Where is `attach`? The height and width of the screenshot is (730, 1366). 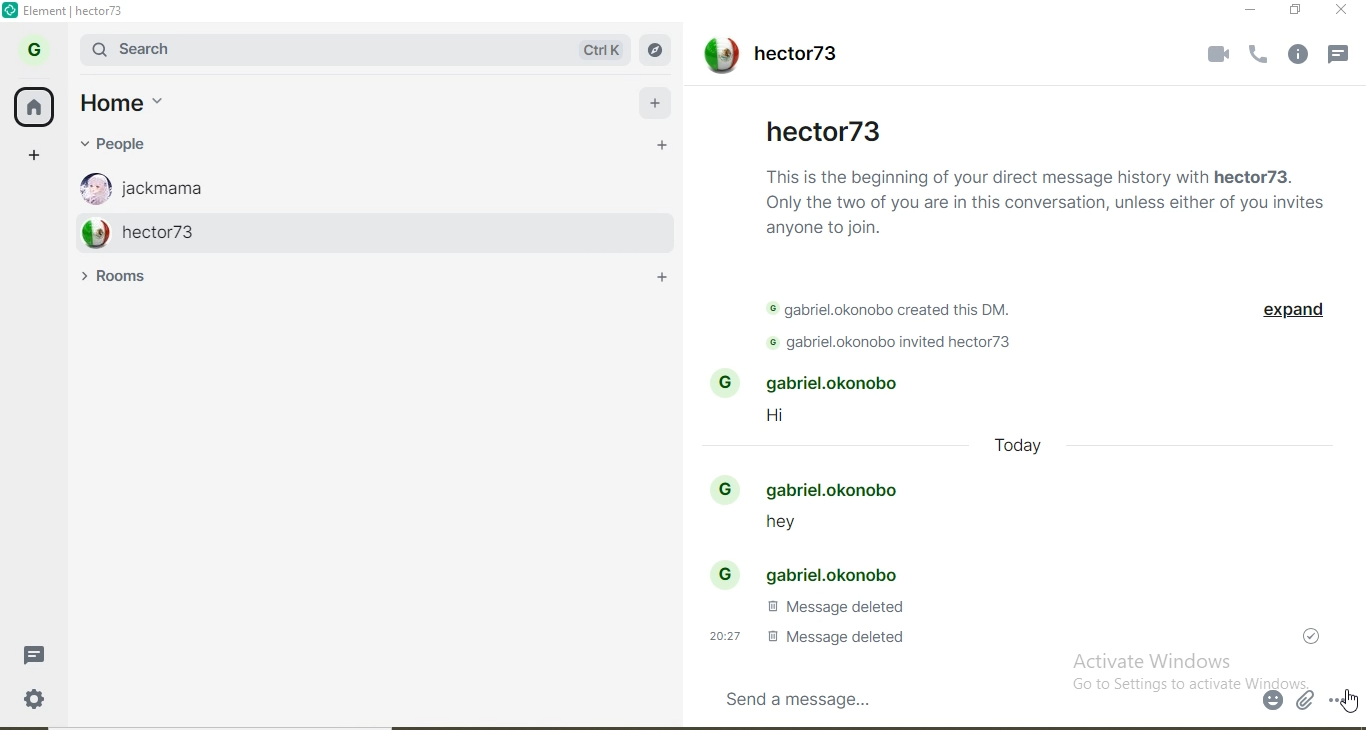 attach is located at coordinates (1304, 701).